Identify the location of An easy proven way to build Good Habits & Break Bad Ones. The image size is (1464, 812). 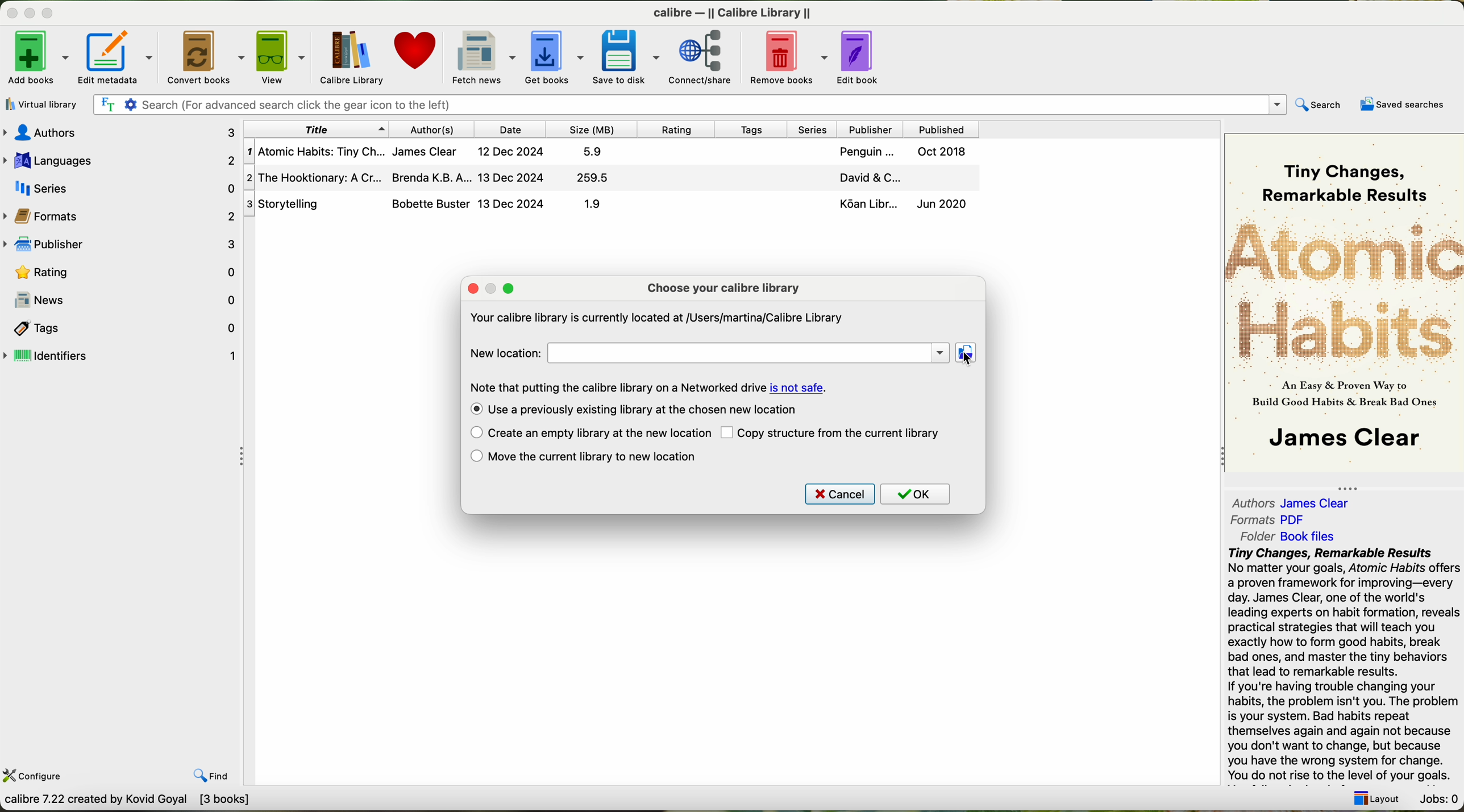
(1342, 398).